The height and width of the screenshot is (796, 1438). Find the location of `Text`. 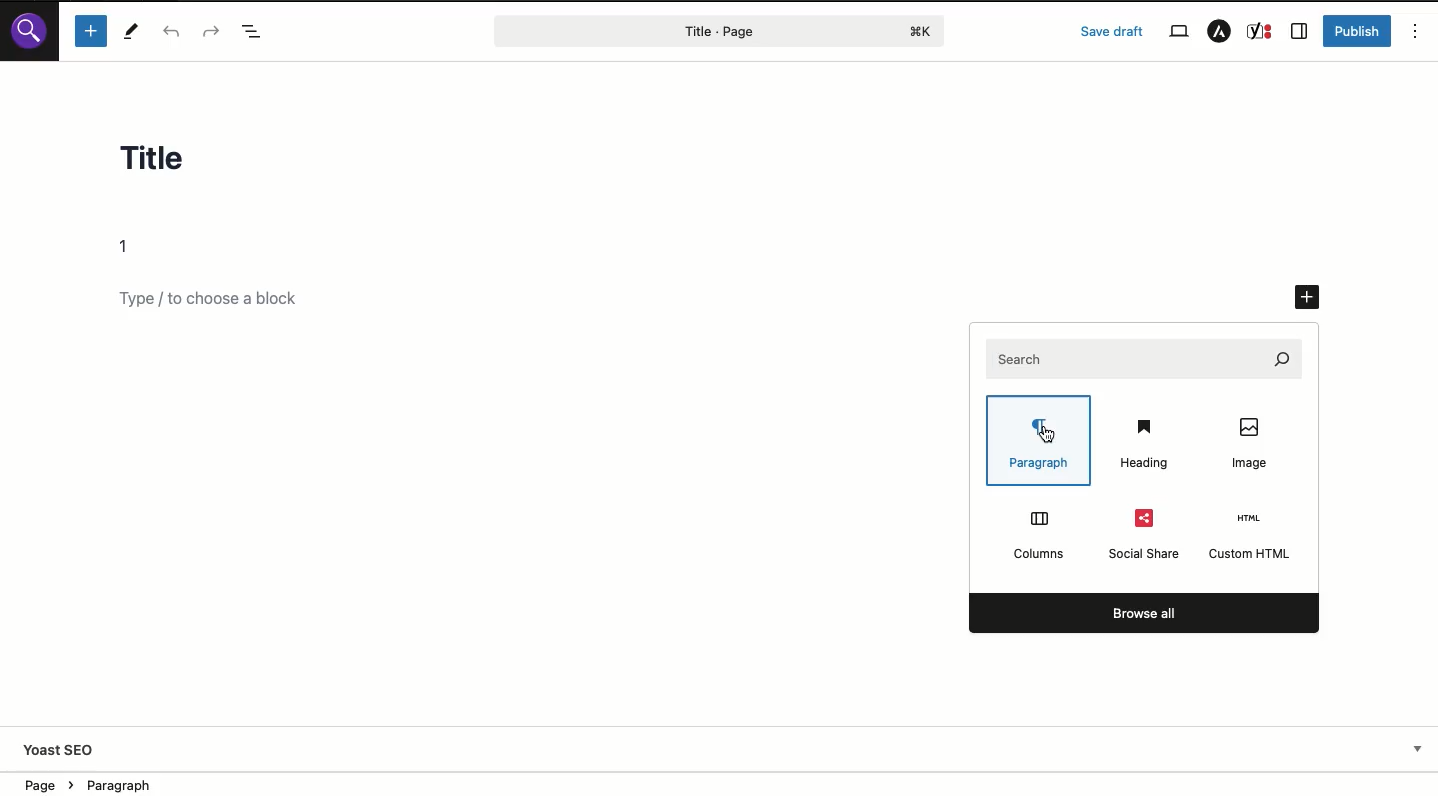

Text is located at coordinates (131, 247).